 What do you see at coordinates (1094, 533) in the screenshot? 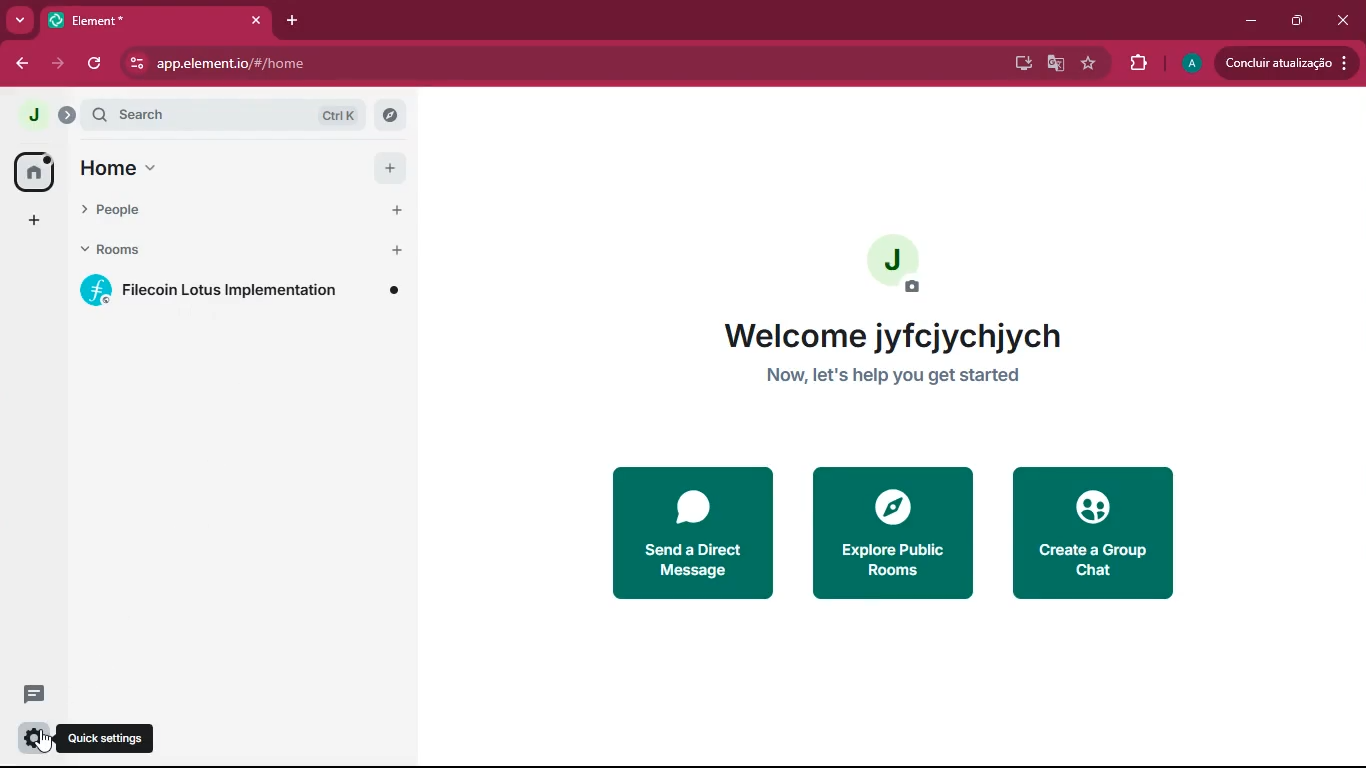
I see `create` at bounding box center [1094, 533].